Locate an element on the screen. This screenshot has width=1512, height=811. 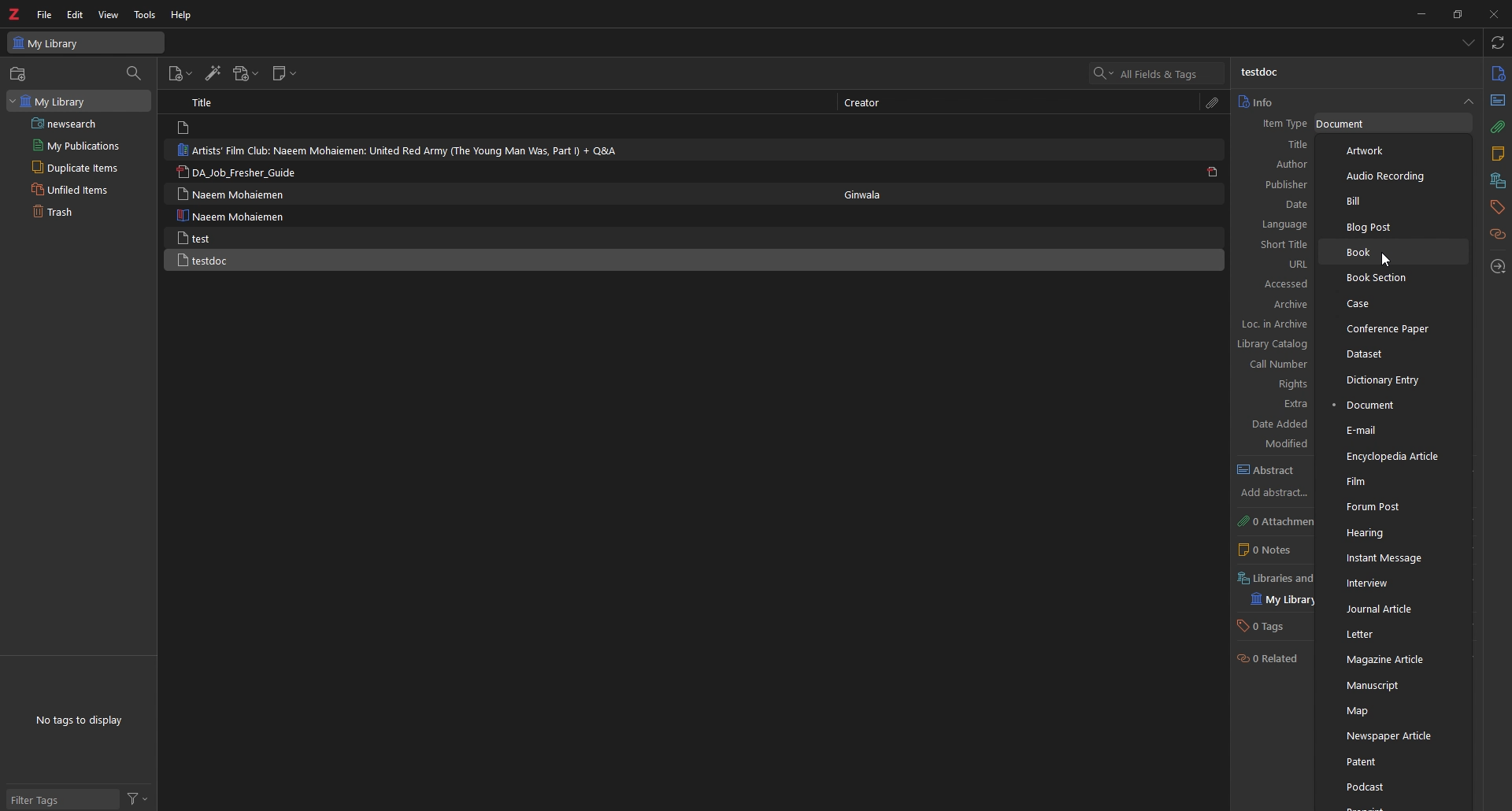
case is located at coordinates (1393, 303).